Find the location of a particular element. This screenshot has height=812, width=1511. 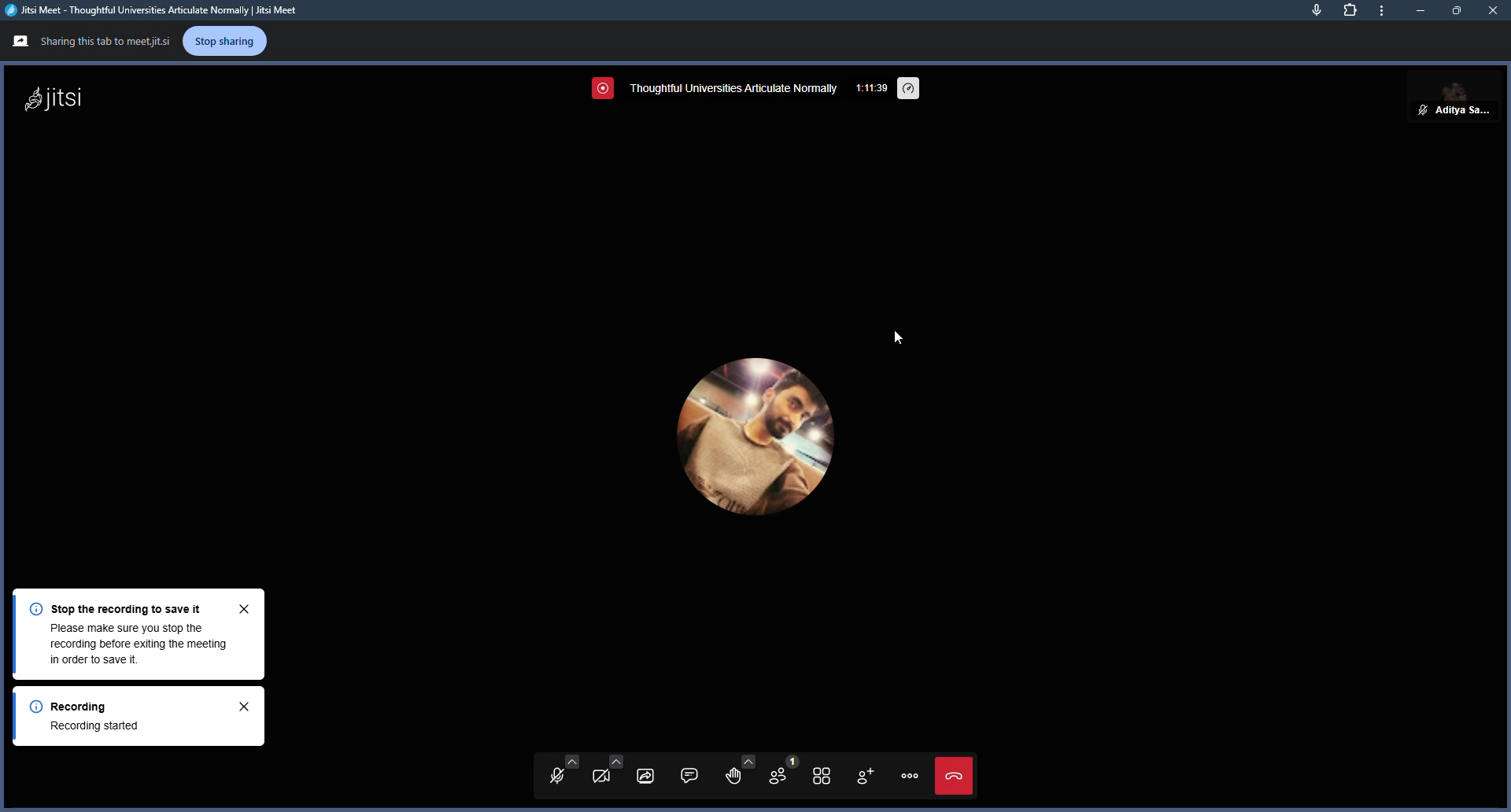

end call is located at coordinates (955, 778).